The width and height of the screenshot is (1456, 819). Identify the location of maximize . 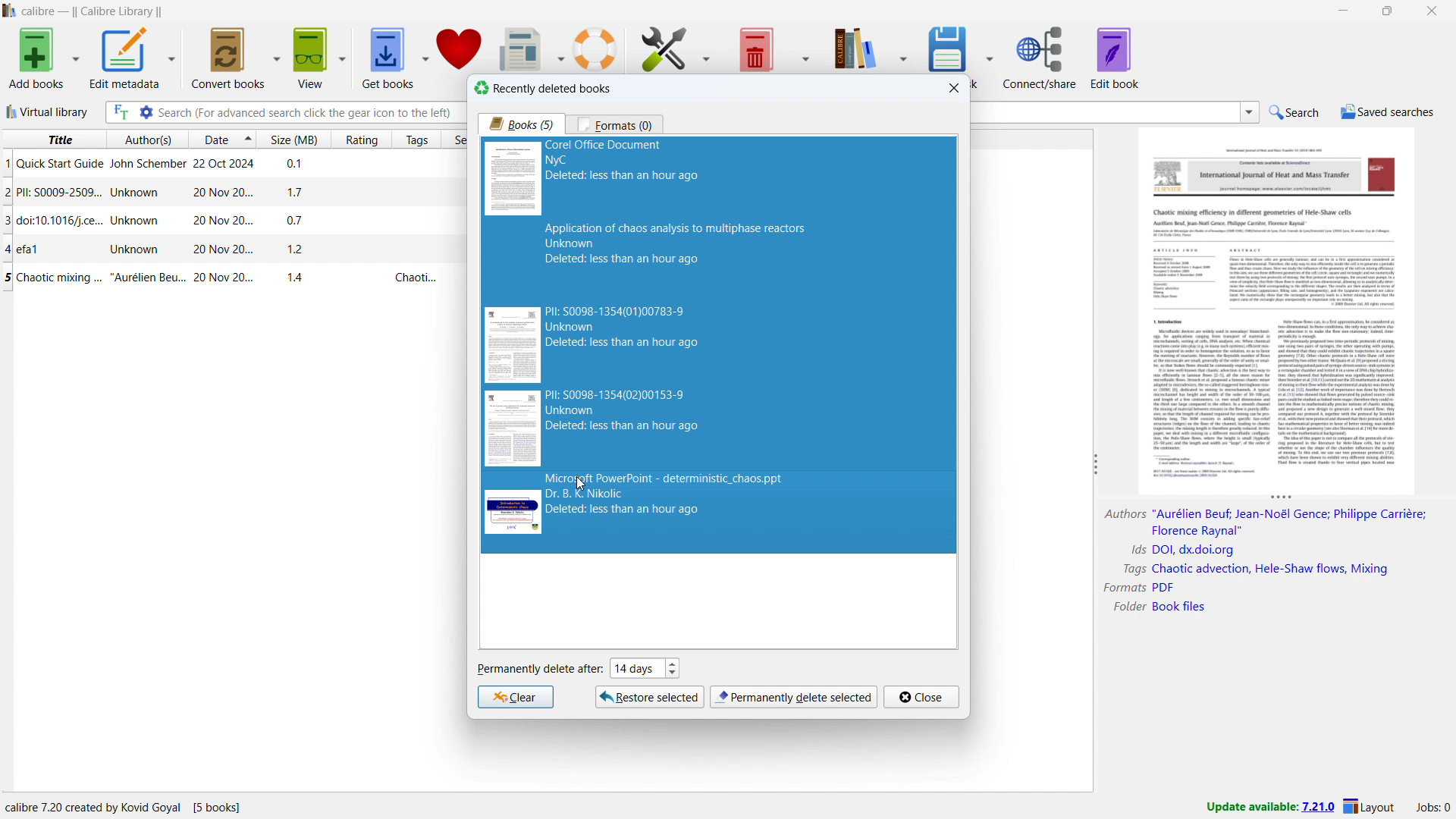
(1387, 11).